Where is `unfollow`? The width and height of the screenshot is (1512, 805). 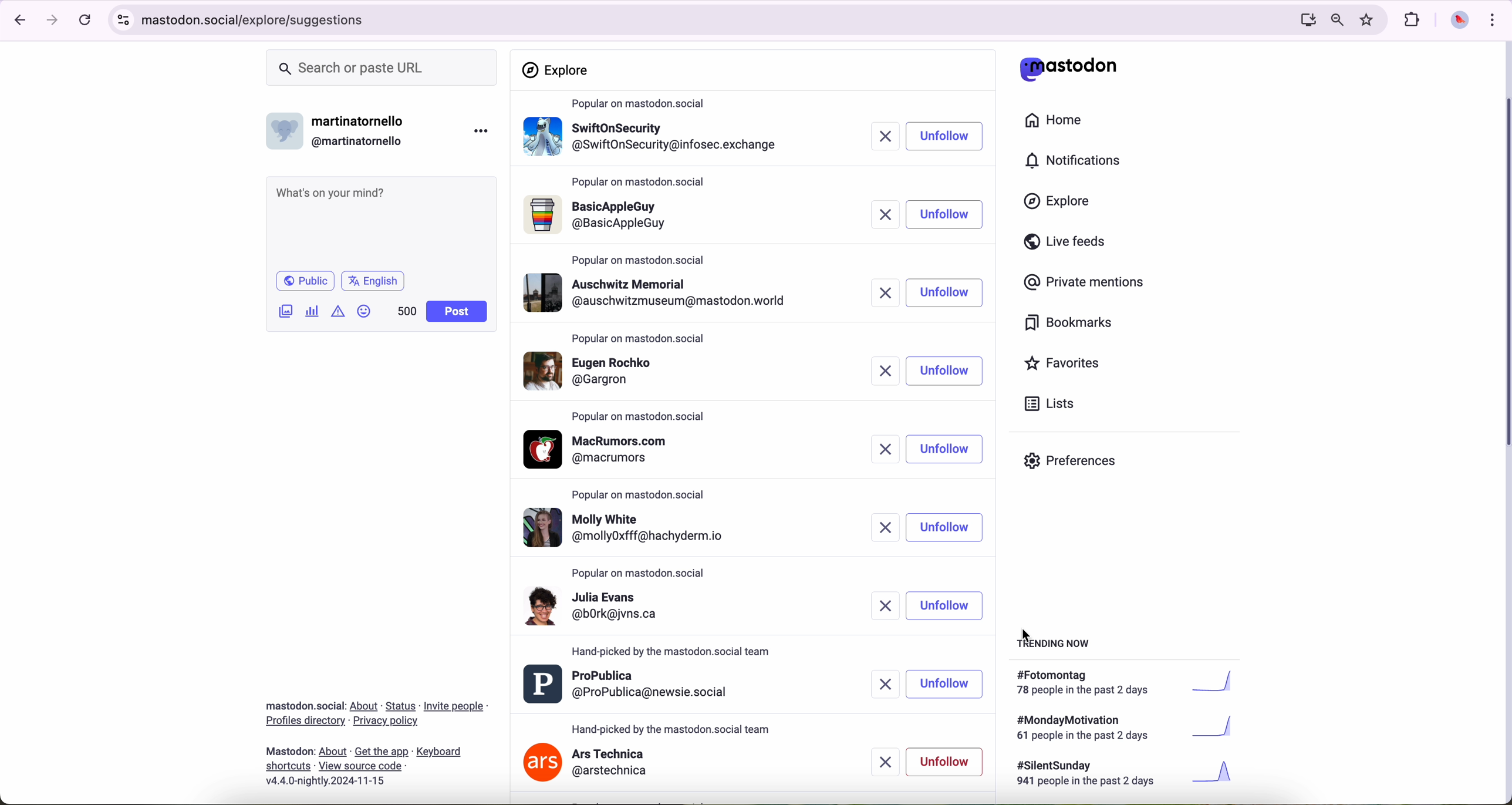 unfollow is located at coordinates (945, 762).